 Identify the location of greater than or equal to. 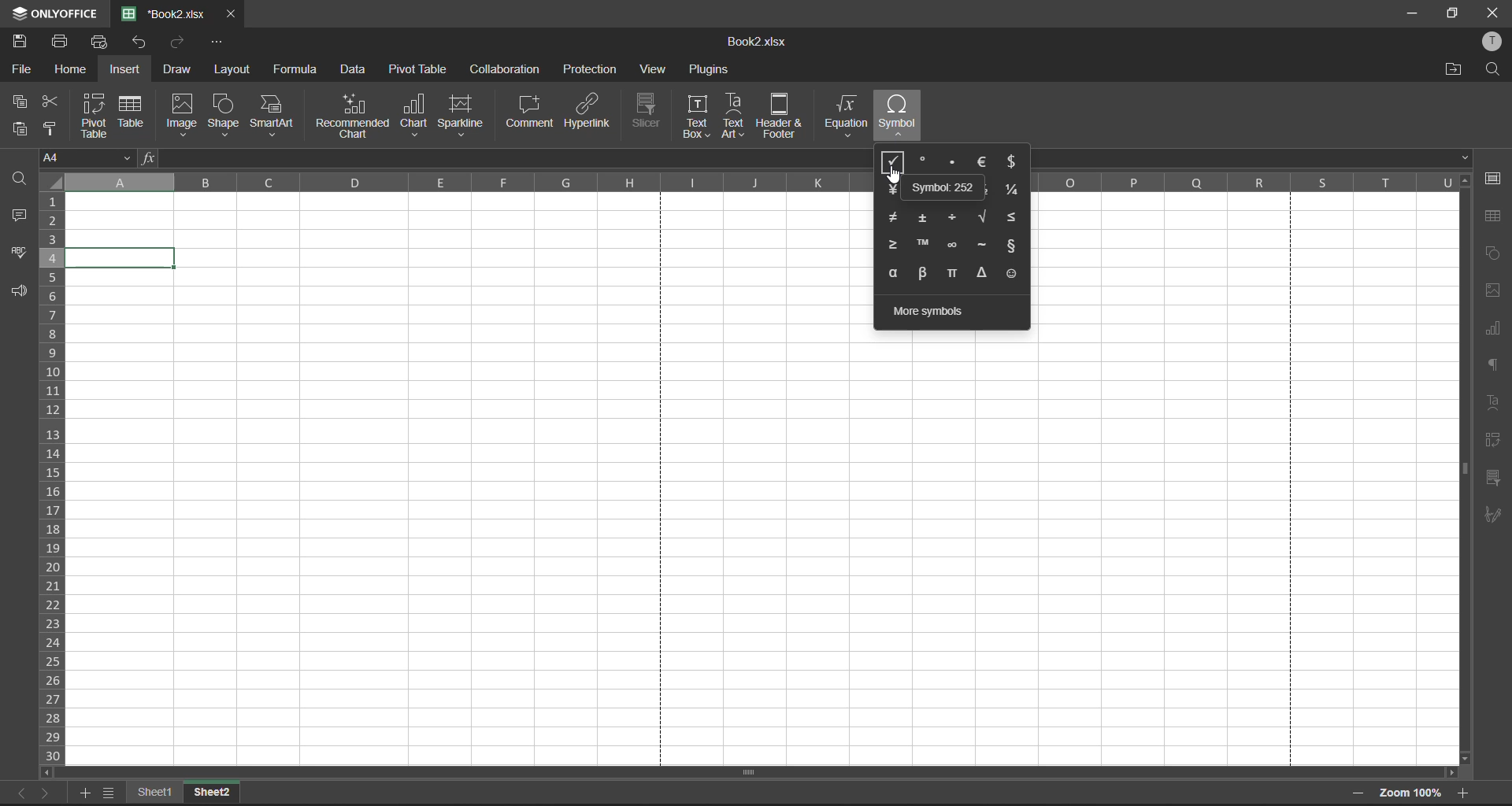
(895, 246).